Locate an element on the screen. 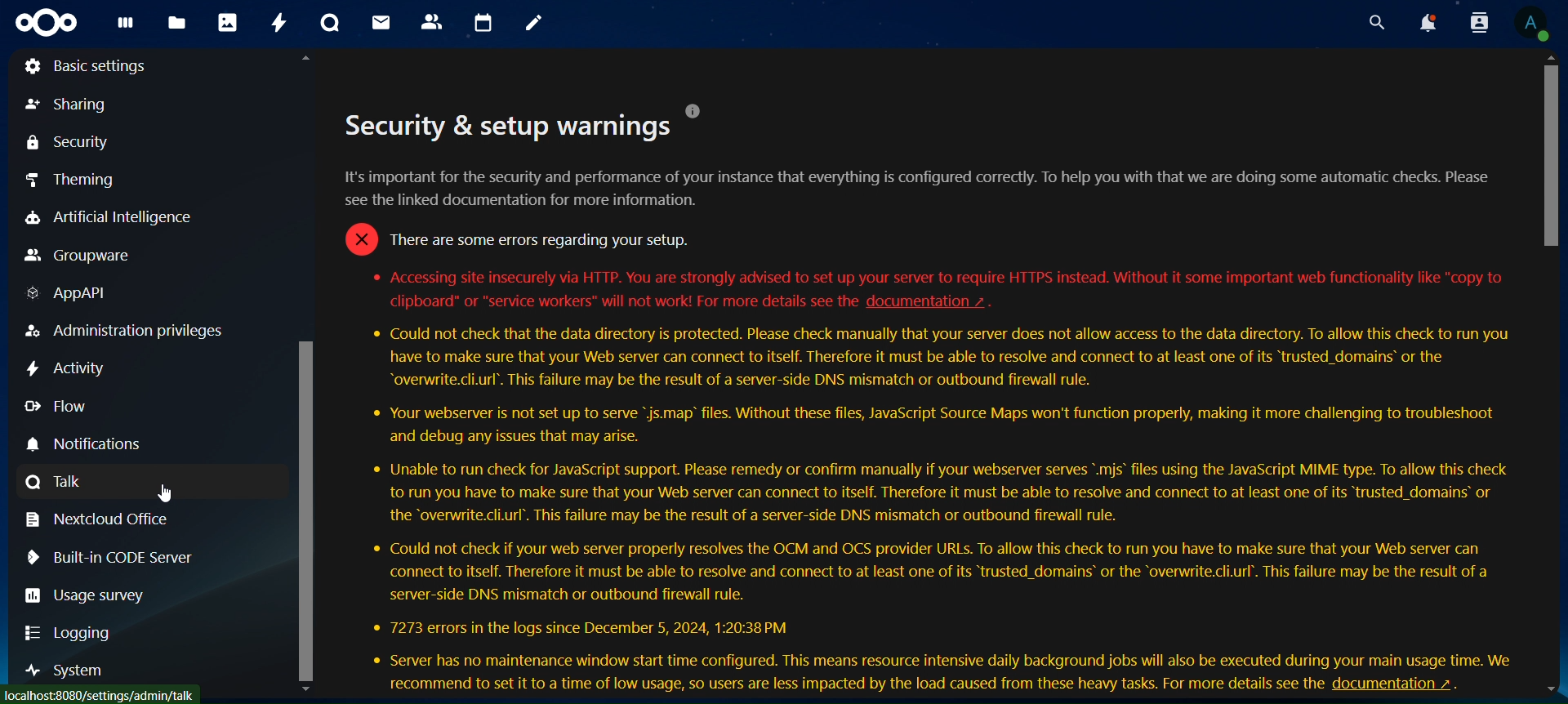 This screenshot has height=704, width=1568. basic settings is located at coordinates (95, 66).